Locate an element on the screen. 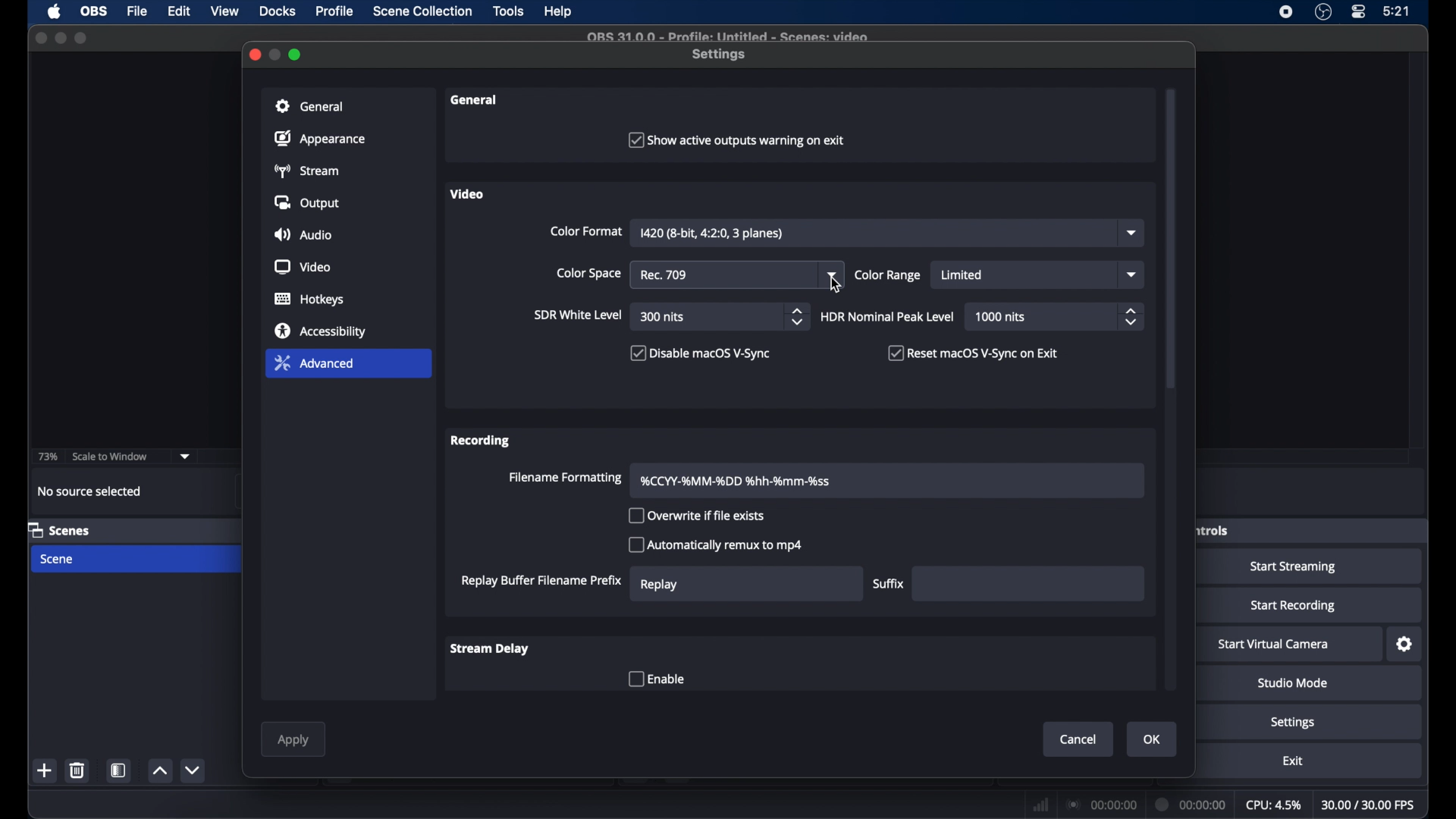 This screenshot has width=1456, height=819. network is located at coordinates (1040, 804).